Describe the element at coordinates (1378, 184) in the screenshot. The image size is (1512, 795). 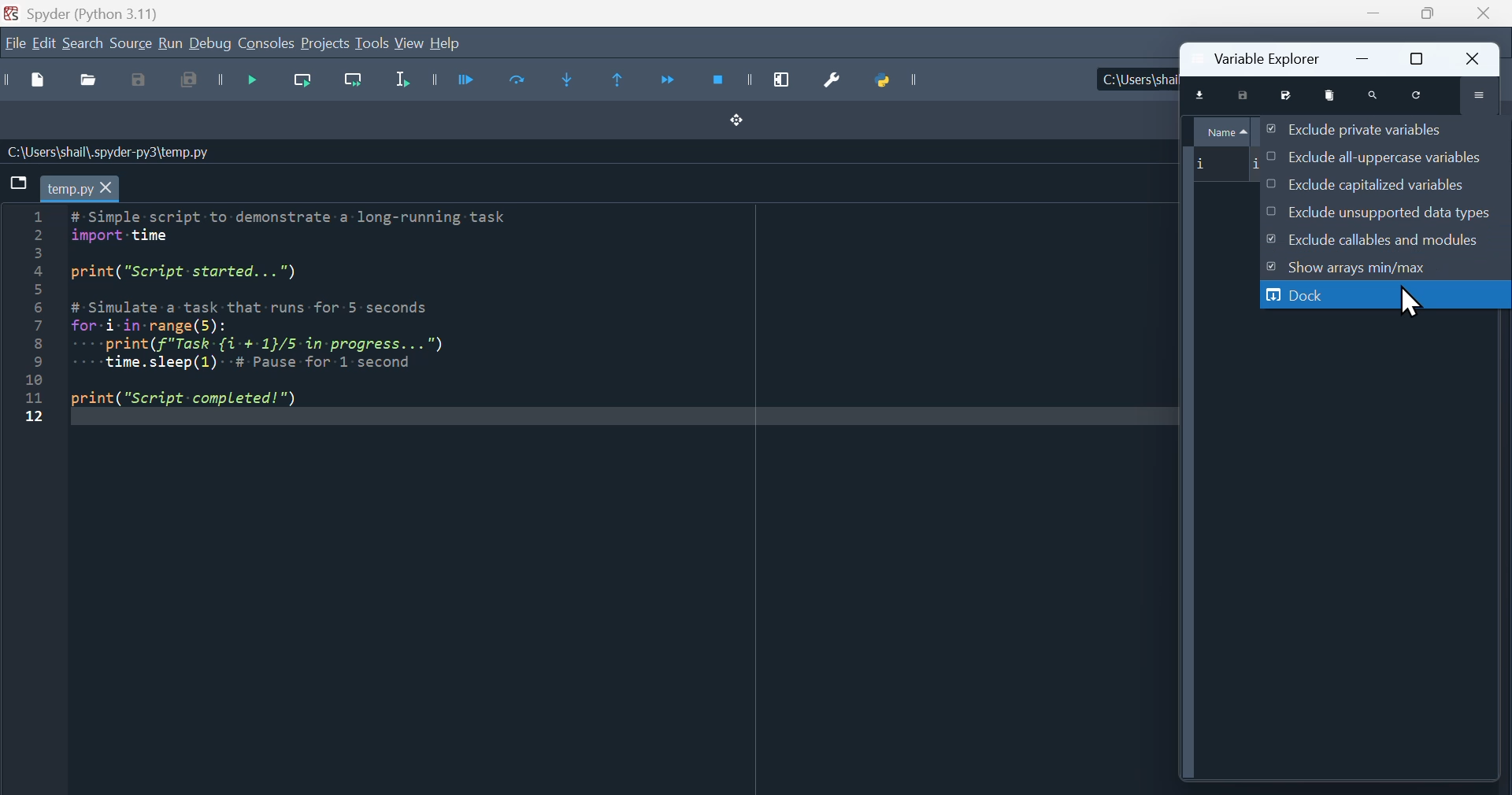
I see `Exclude capitalised variables` at that location.